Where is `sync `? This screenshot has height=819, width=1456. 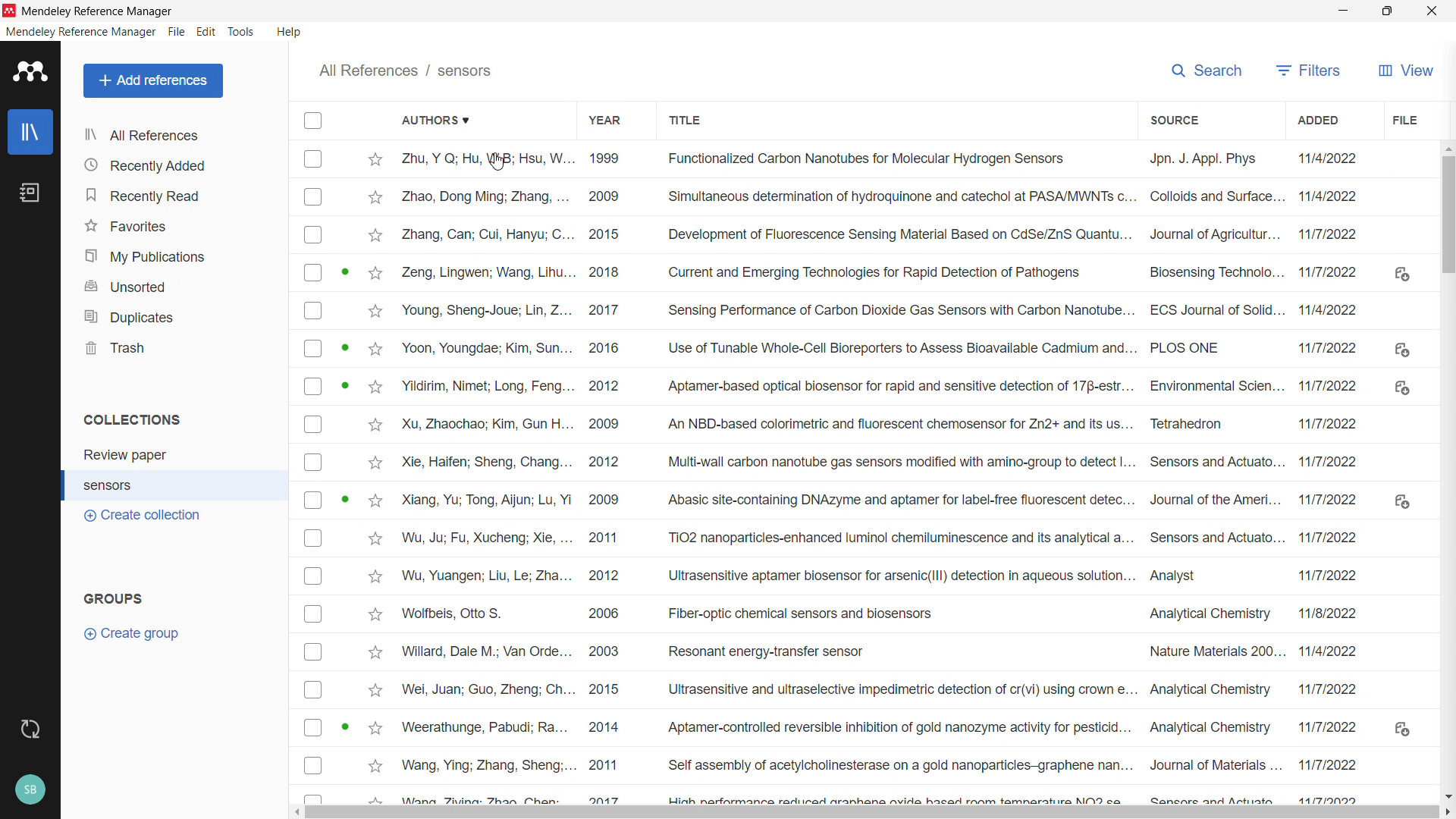
sync  is located at coordinates (31, 729).